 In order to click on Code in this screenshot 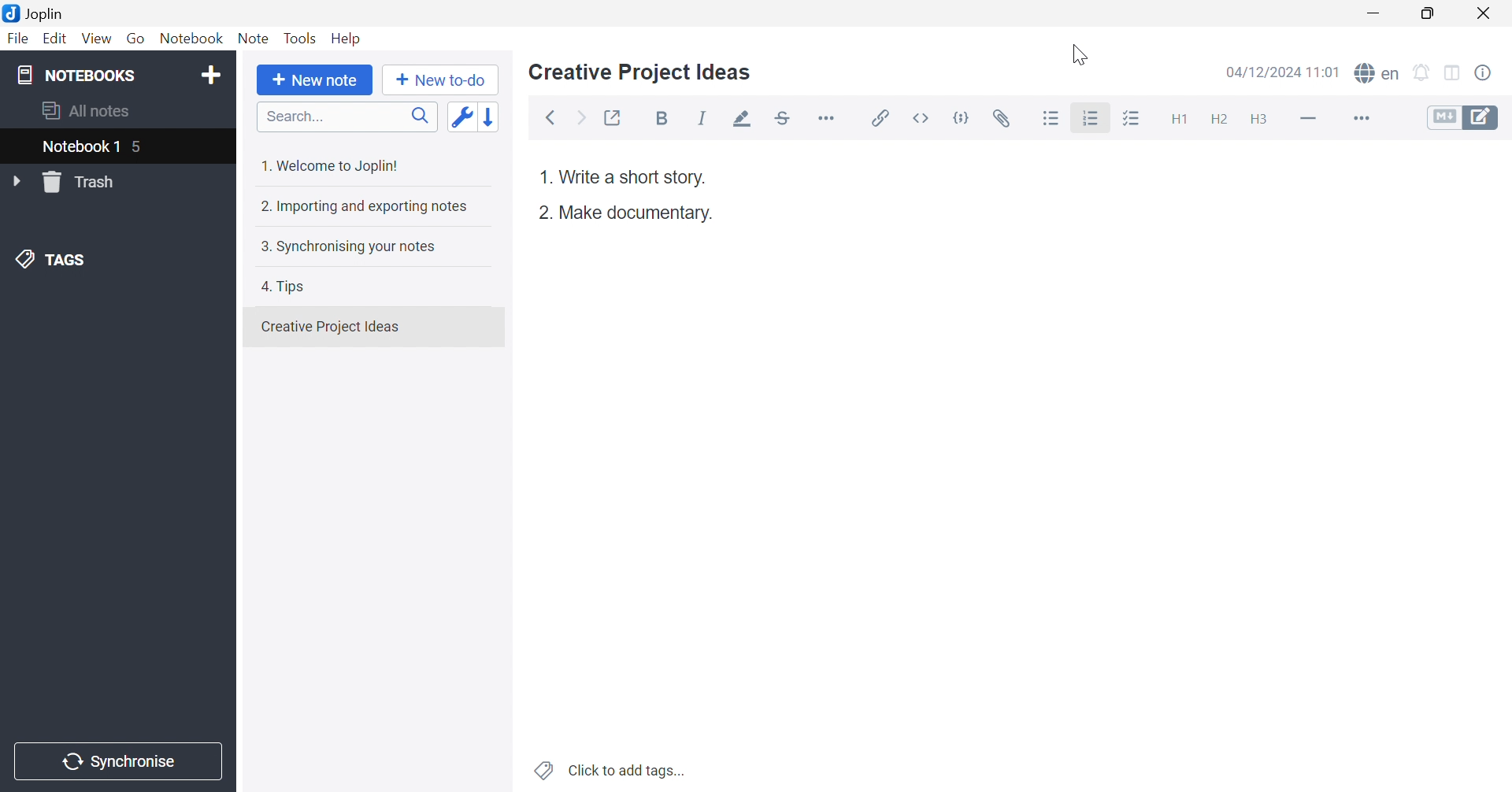, I will do `click(965, 117)`.